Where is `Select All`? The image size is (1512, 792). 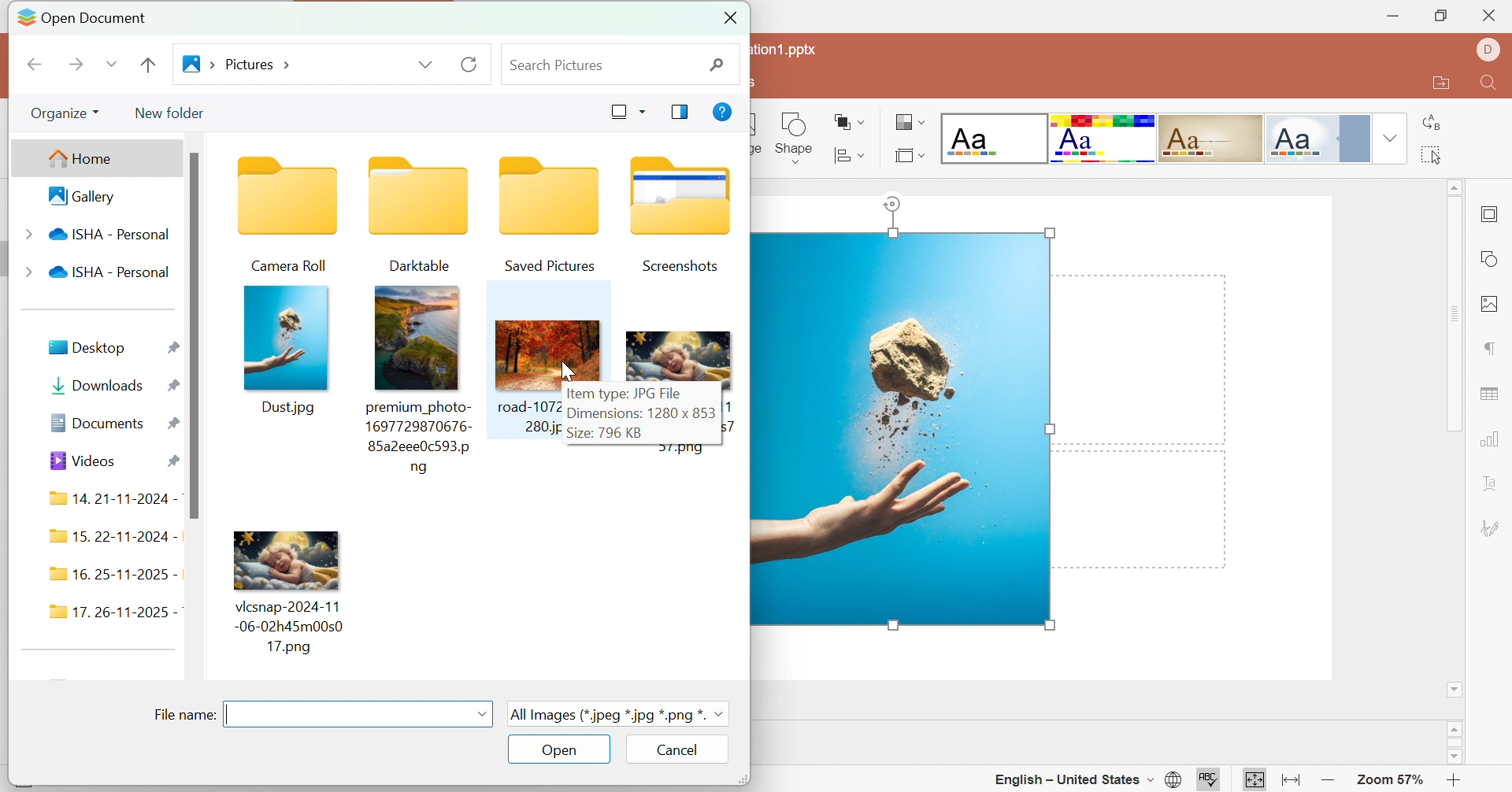 Select All is located at coordinates (1432, 156).